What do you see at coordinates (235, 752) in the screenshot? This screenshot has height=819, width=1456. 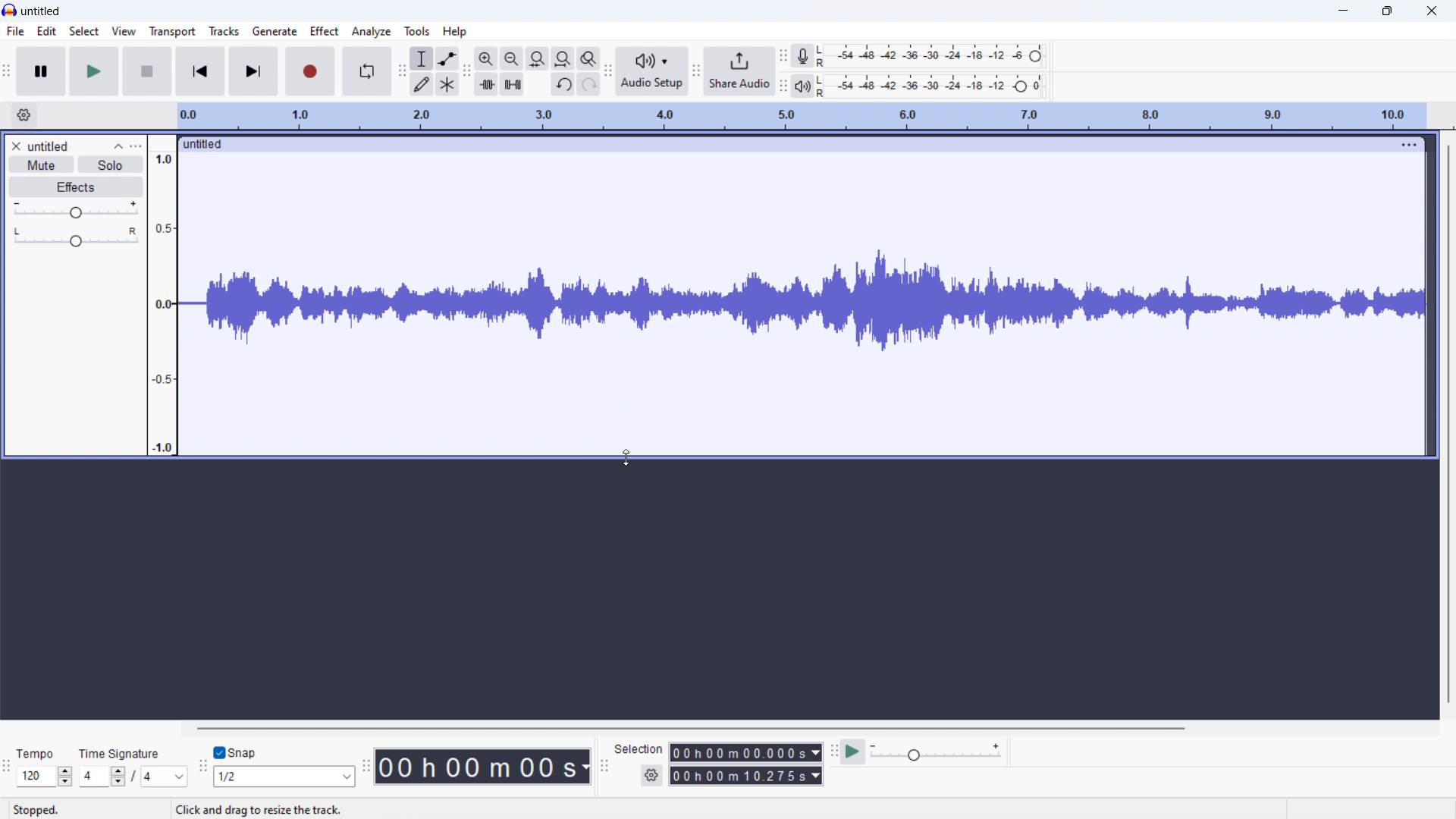 I see `toggle snap` at bounding box center [235, 752].